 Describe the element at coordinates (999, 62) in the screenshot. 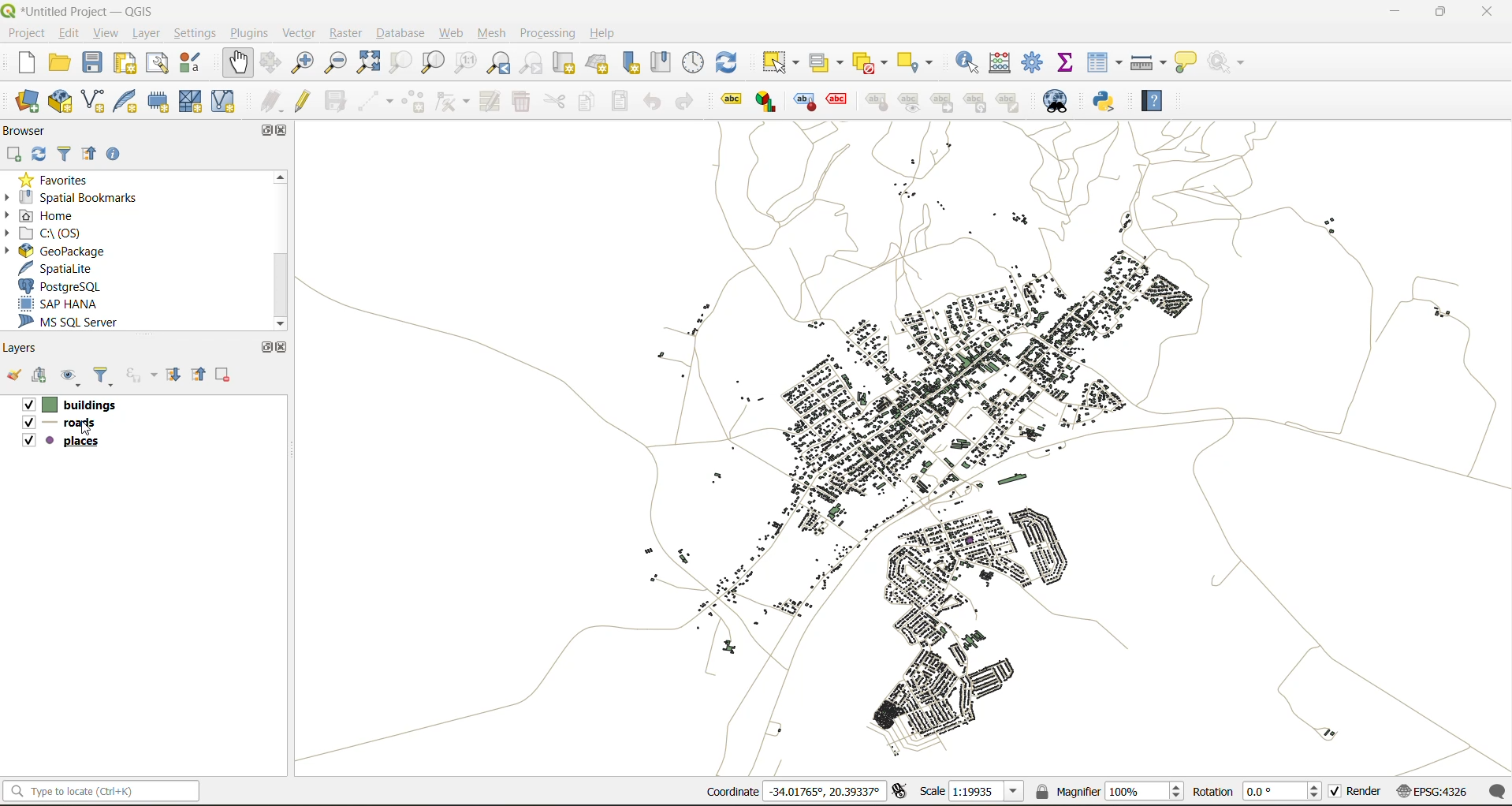

I see `calculator` at that location.